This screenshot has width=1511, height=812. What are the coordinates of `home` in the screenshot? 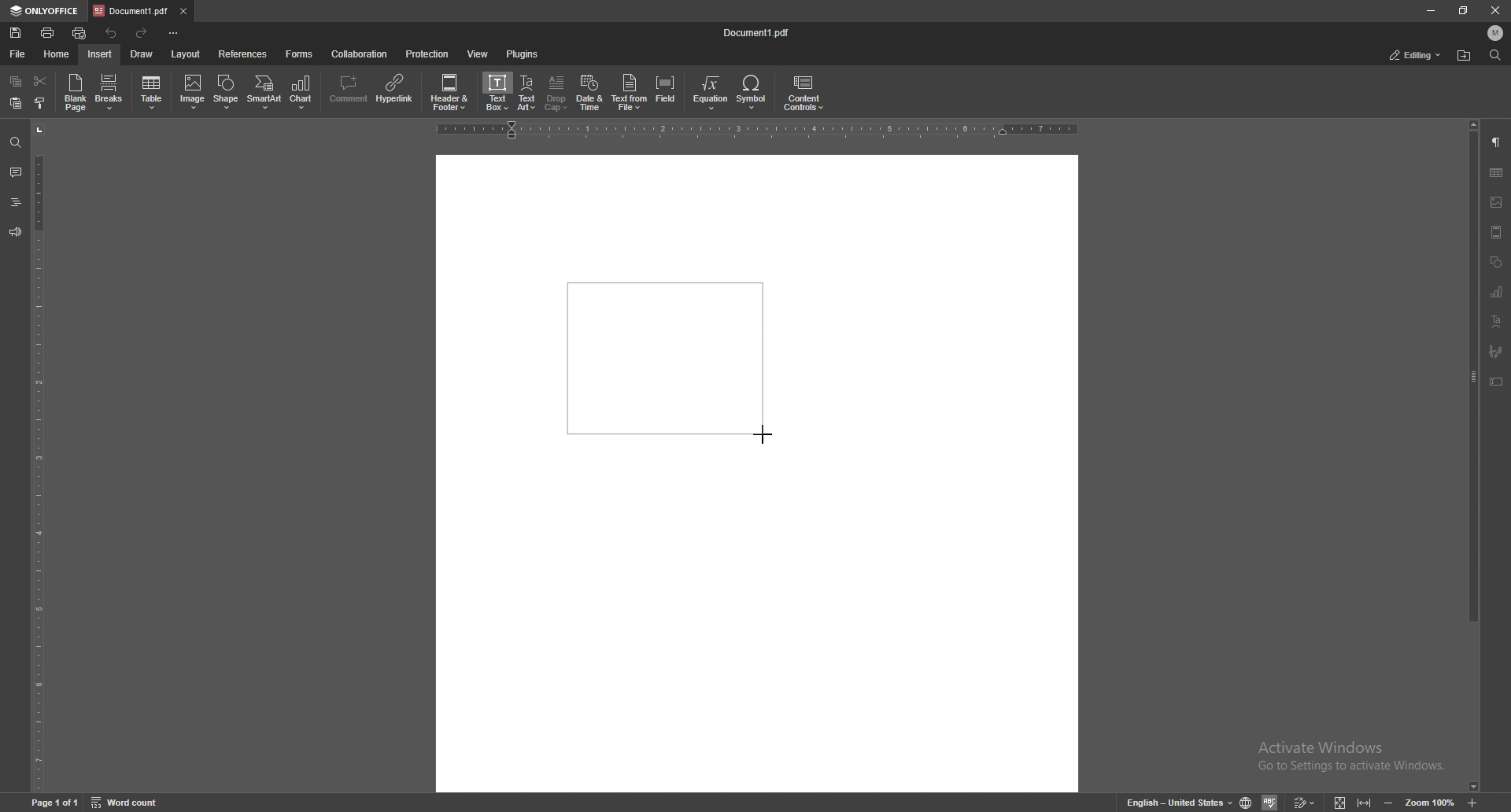 It's located at (57, 55).